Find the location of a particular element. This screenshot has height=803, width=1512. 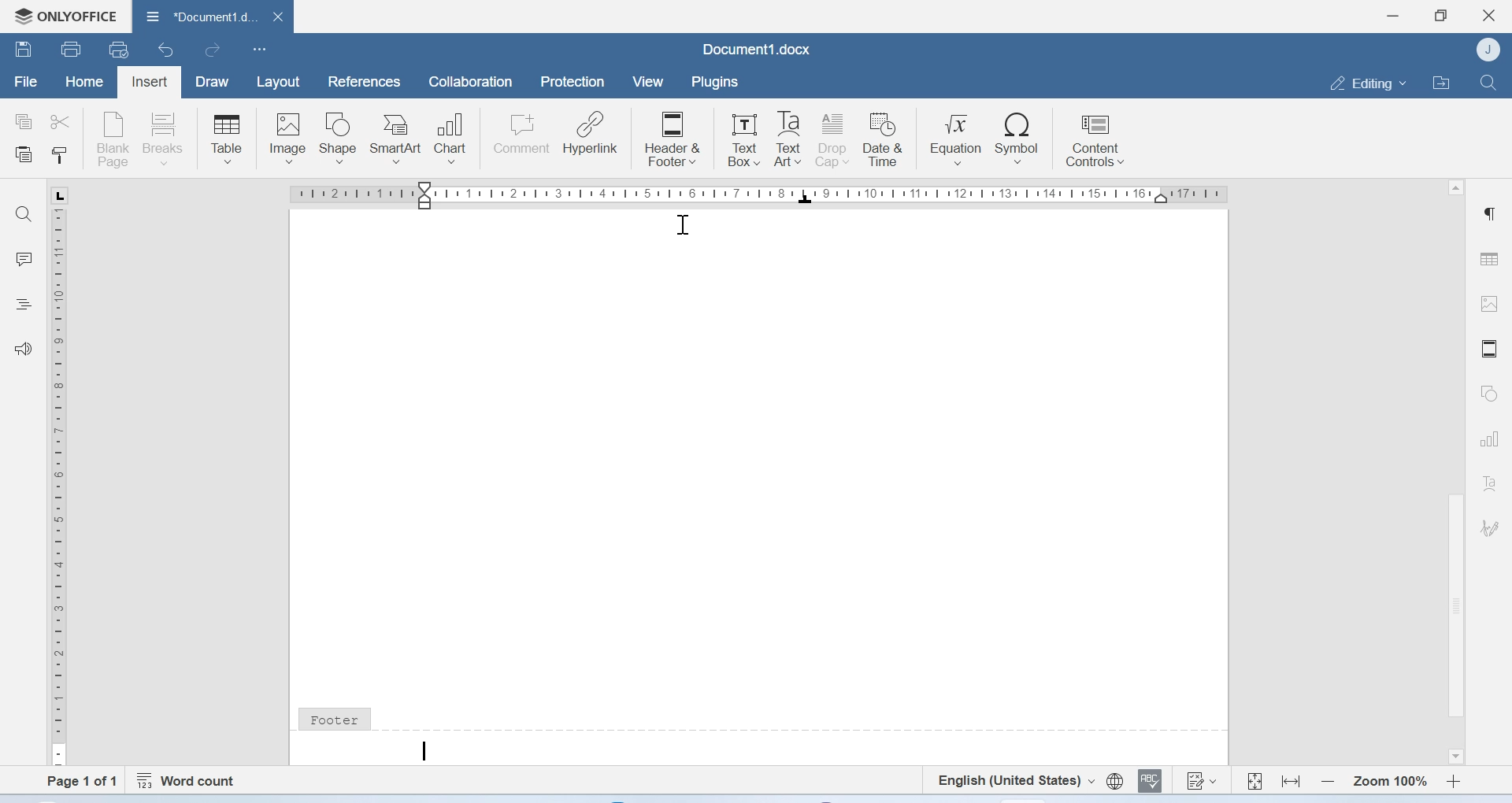

Comments is located at coordinates (24, 259).